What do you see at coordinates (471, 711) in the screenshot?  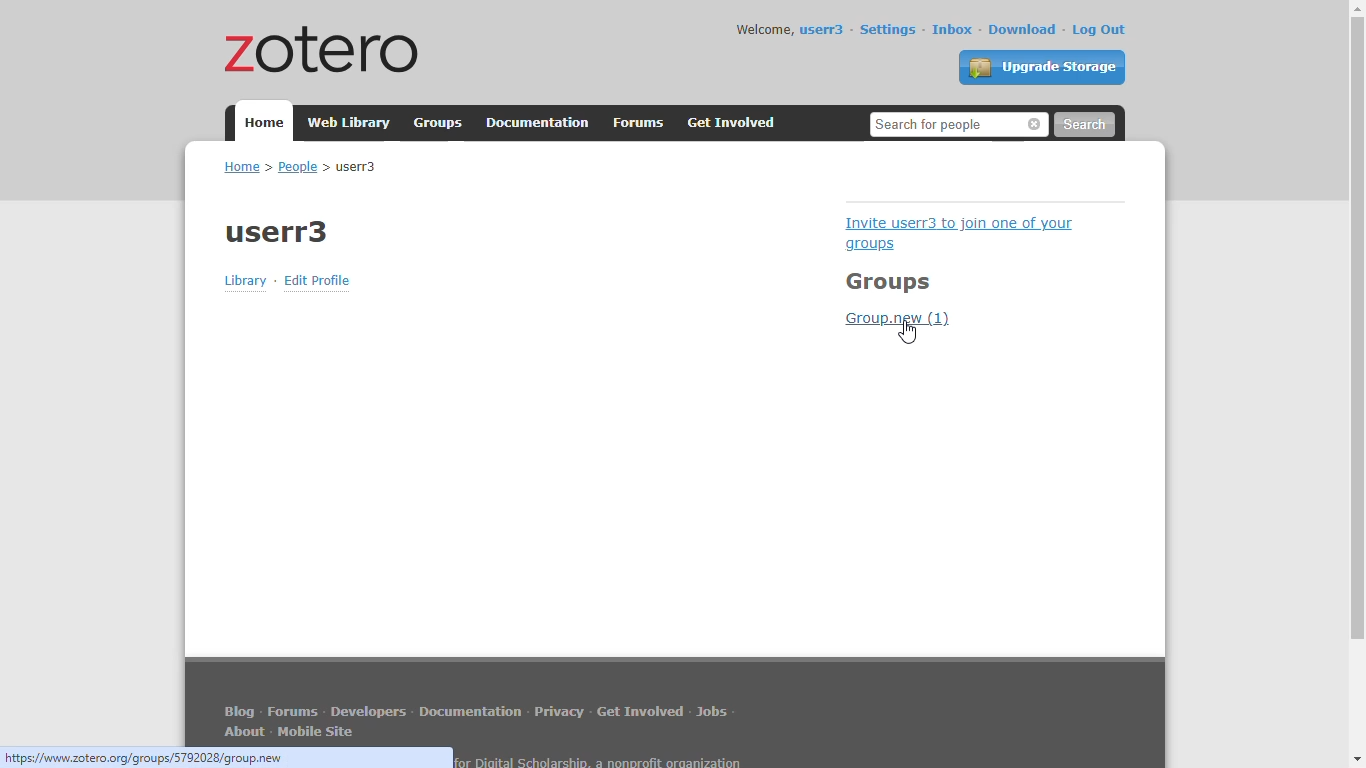 I see `documentation` at bounding box center [471, 711].